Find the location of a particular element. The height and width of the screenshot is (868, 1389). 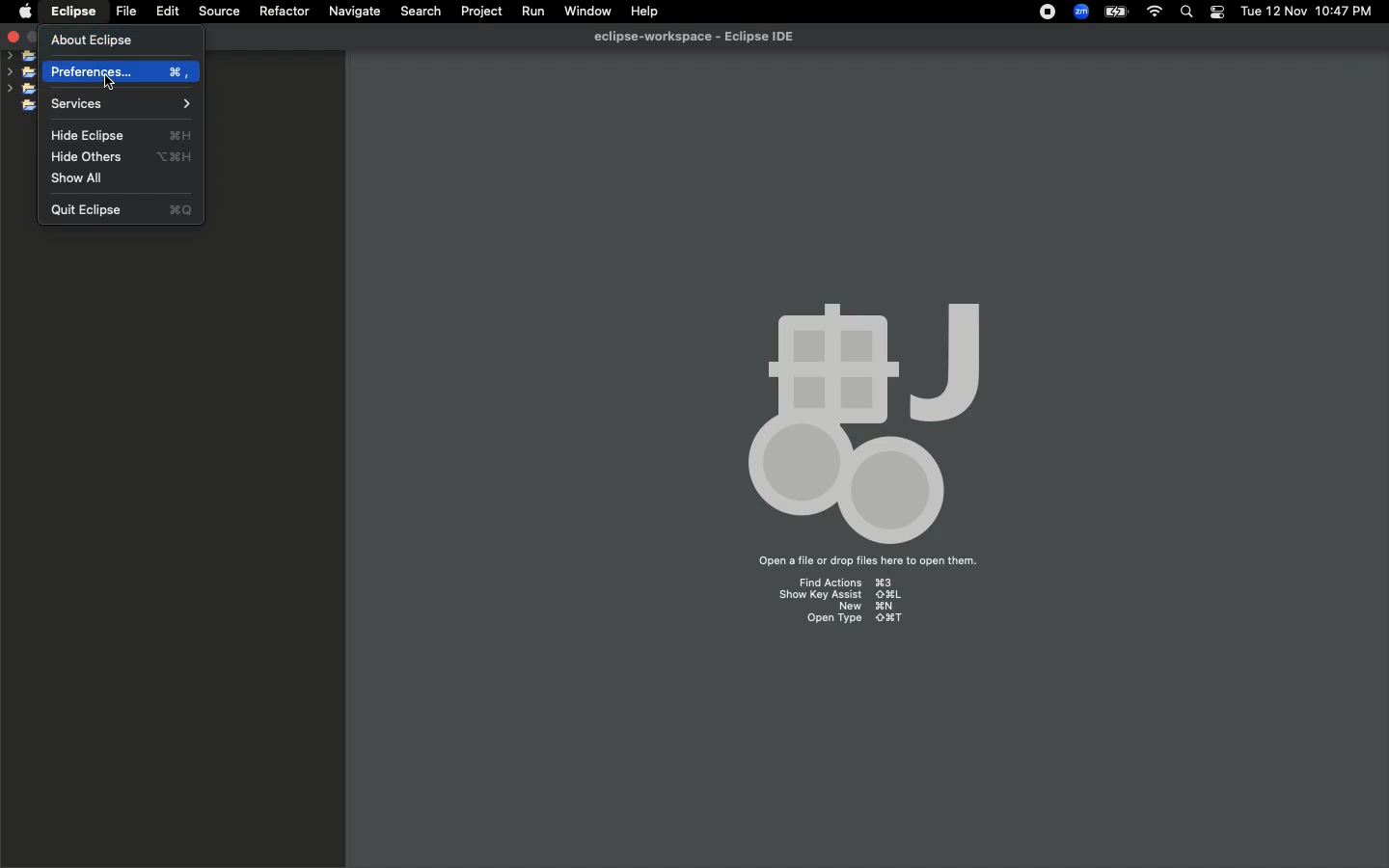

Zoom is located at coordinates (1080, 12).